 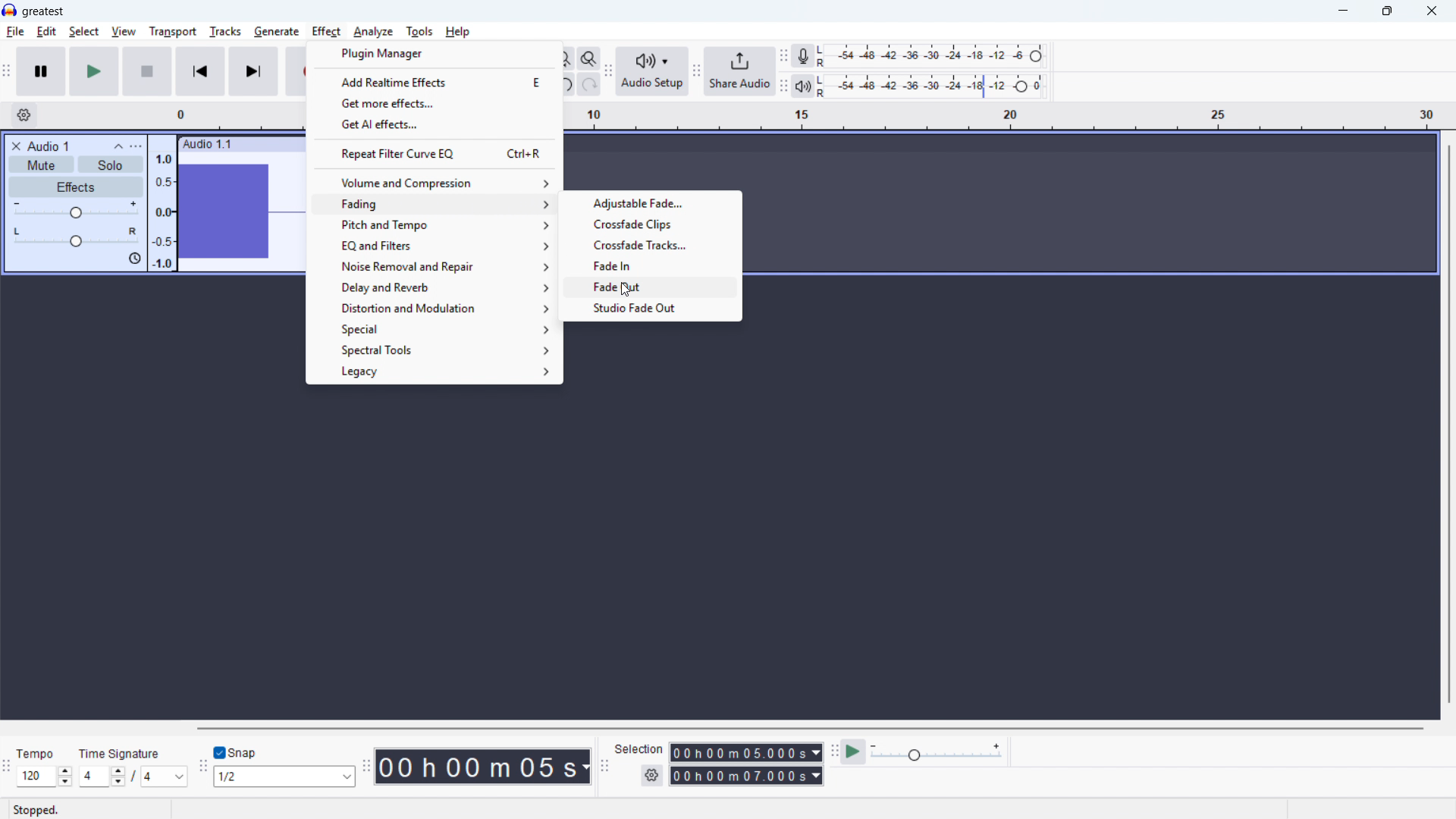 What do you see at coordinates (627, 290) in the screenshot?
I see `cursor` at bounding box center [627, 290].